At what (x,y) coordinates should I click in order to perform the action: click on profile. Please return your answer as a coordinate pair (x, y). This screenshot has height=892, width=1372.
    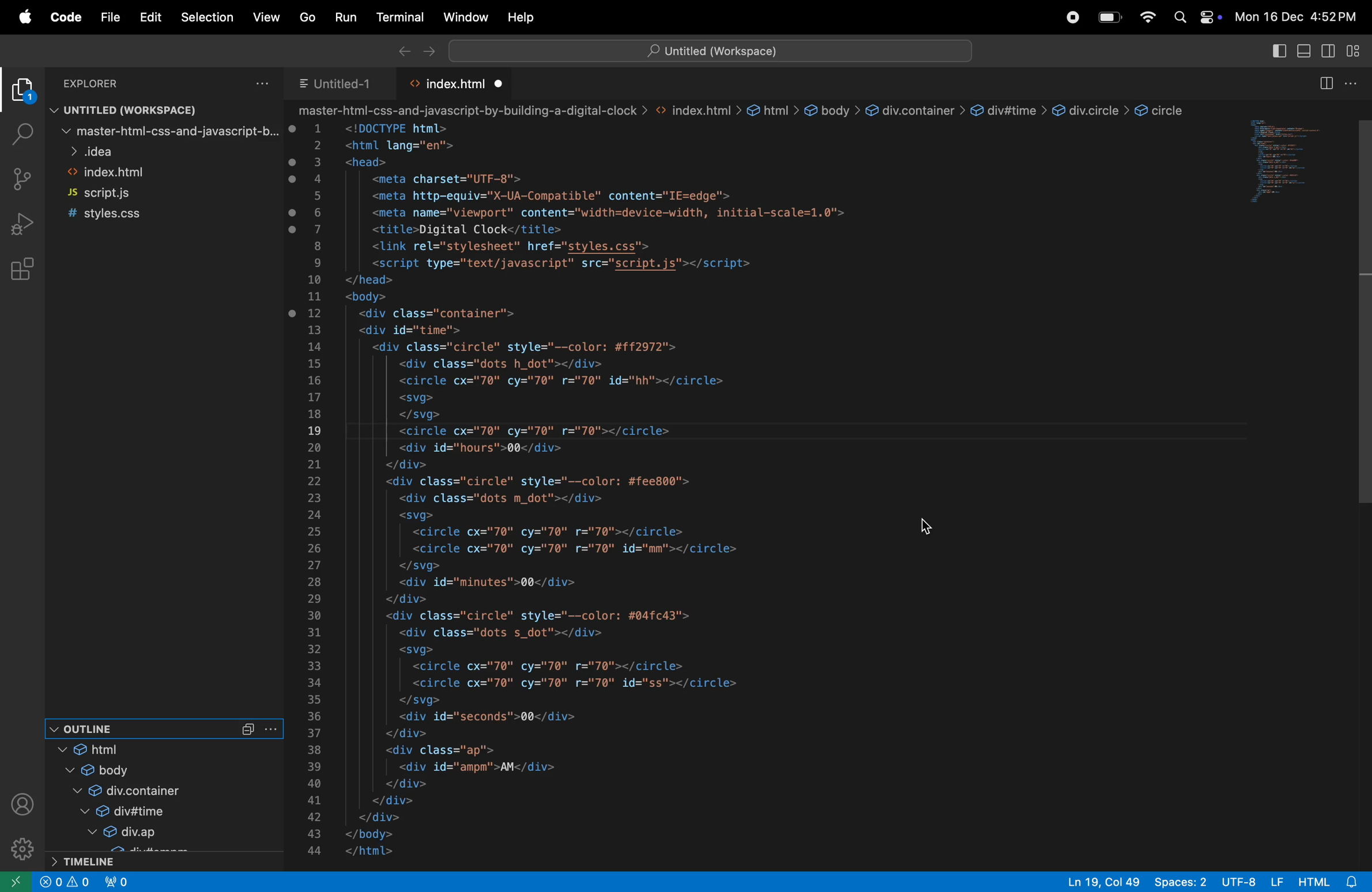
    Looking at the image, I should click on (22, 804).